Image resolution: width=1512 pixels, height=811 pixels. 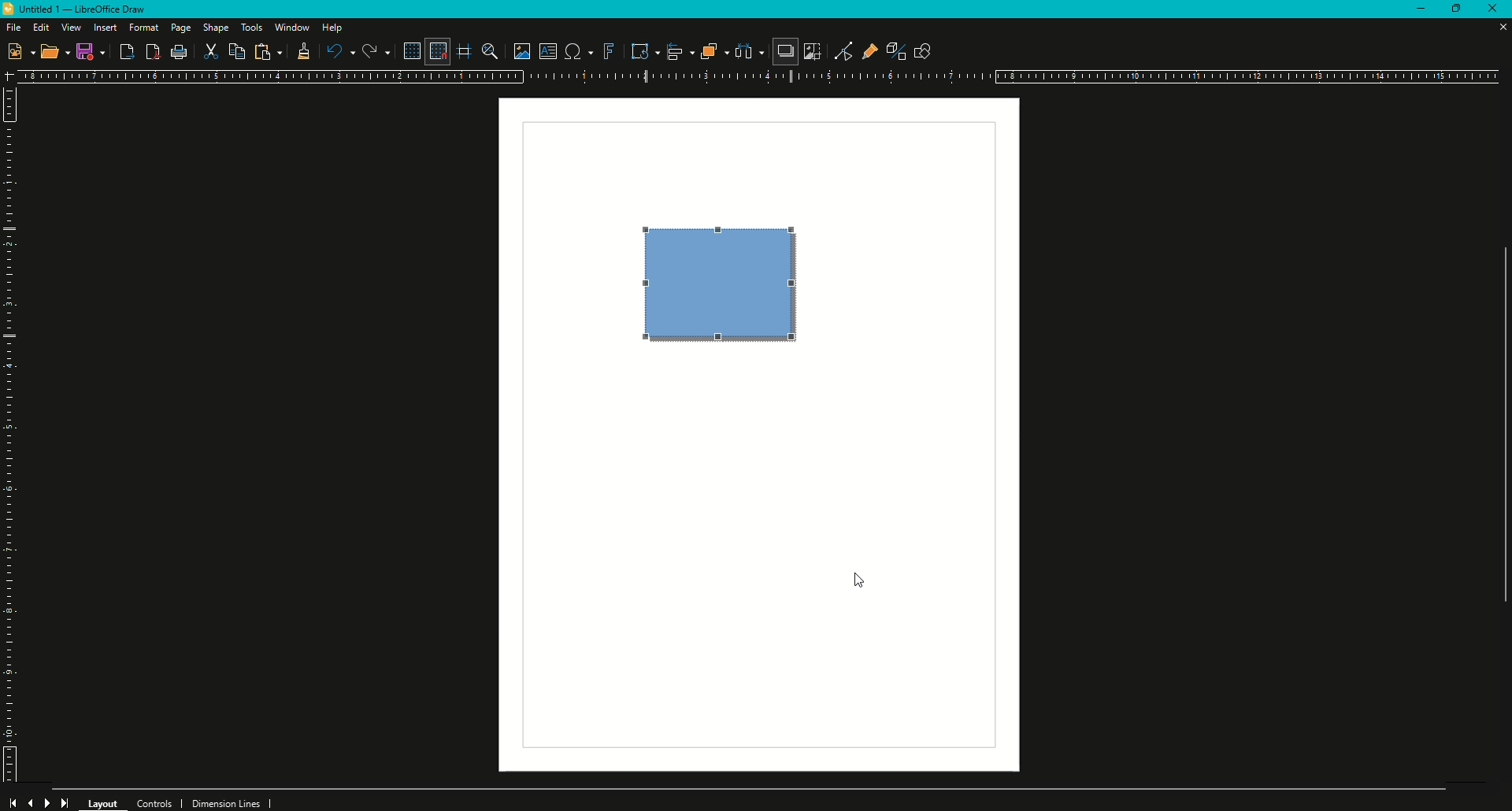 I want to click on Untitled 1 - LibreOffice Draw, so click(x=80, y=9).